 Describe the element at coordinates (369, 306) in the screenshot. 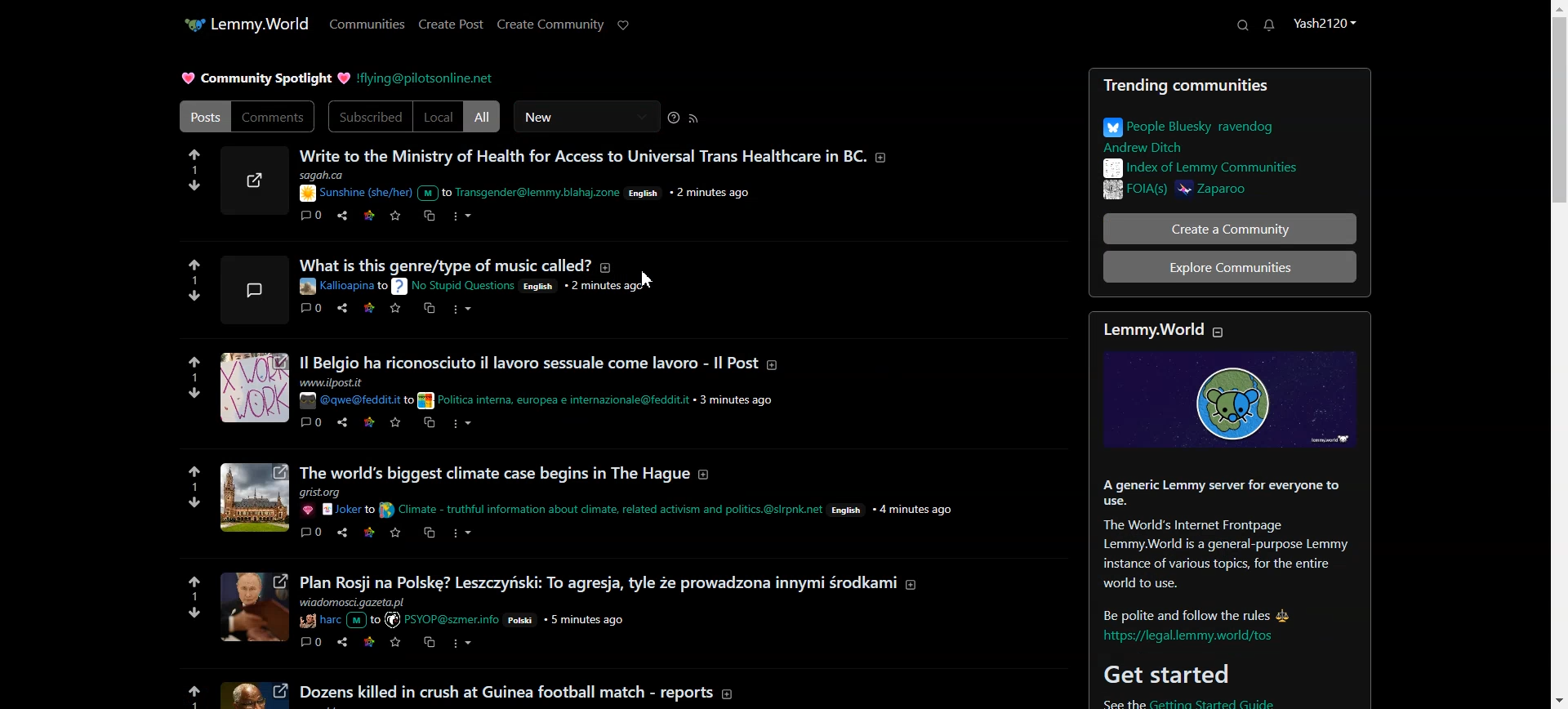

I see `link` at that location.